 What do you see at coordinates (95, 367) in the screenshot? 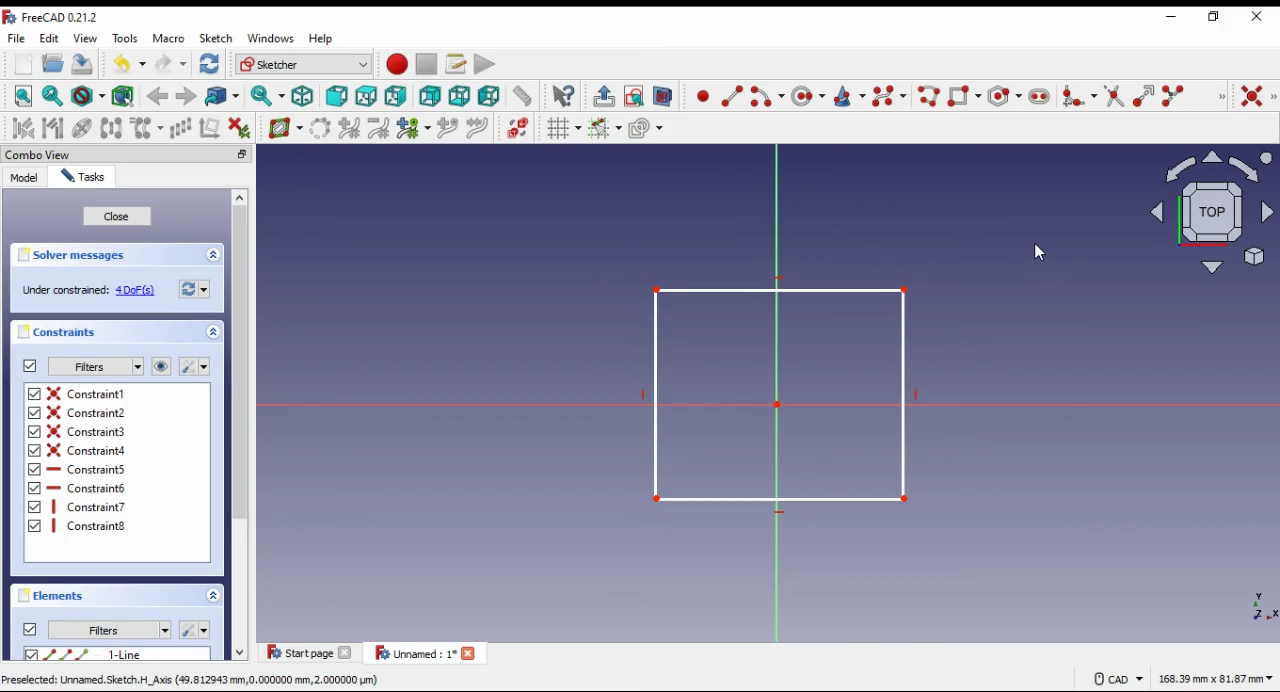
I see `filter` at bounding box center [95, 367].